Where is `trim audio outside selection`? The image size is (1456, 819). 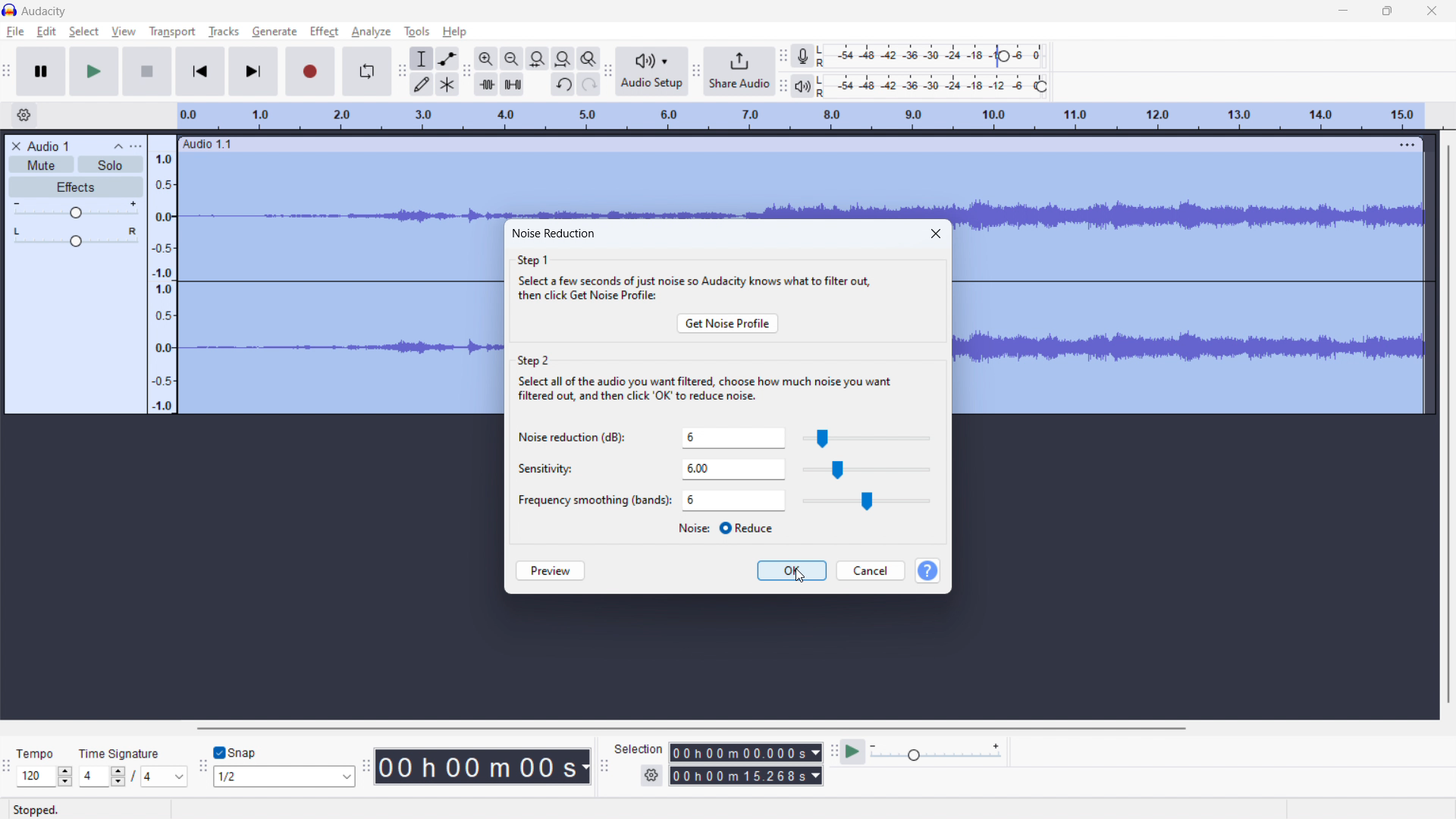
trim audio outside selection is located at coordinates (486, 84).